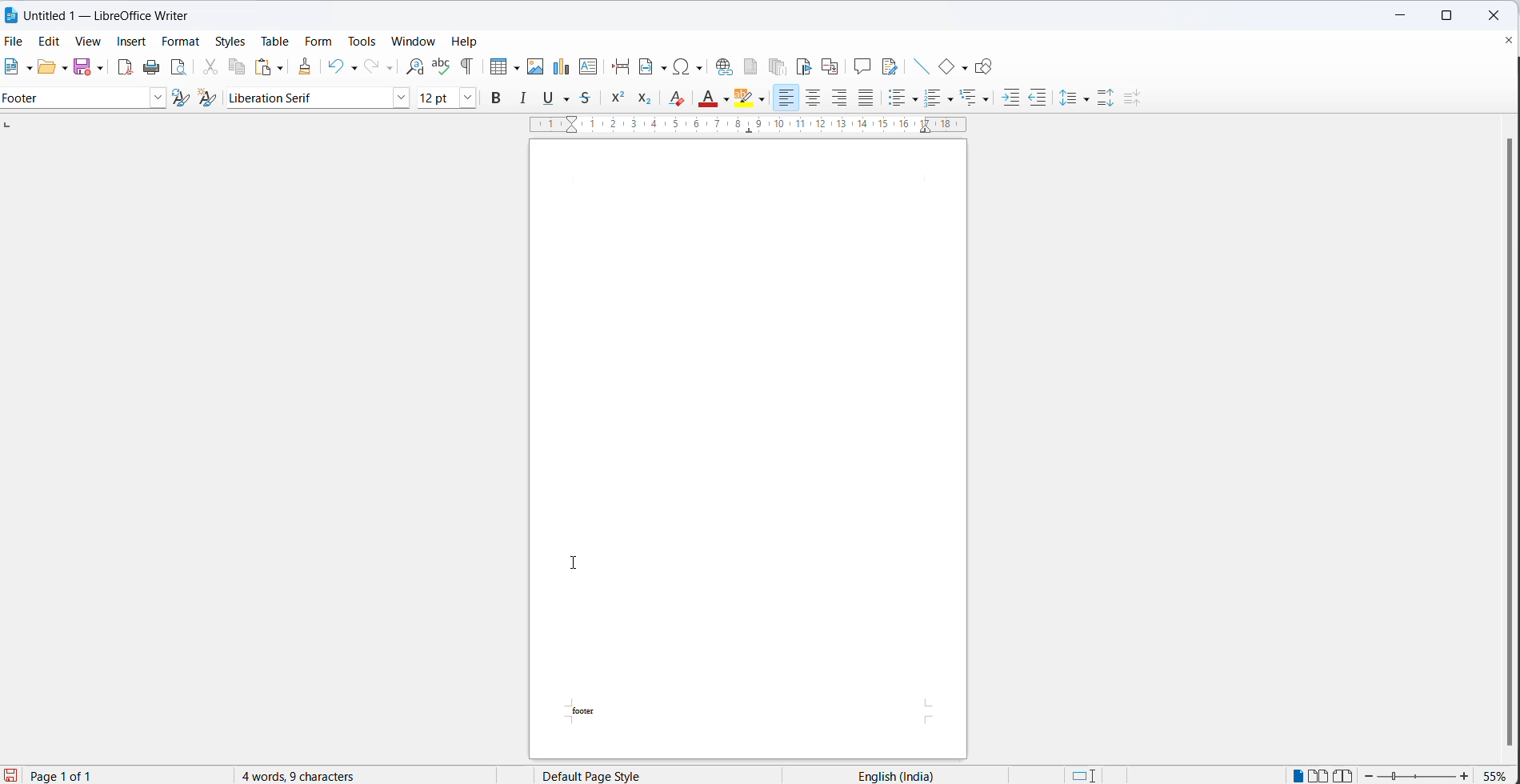 Image resolution: width=1520 pixels, height=784 pixels. I want to click on standard selection, so click(1087, 775).